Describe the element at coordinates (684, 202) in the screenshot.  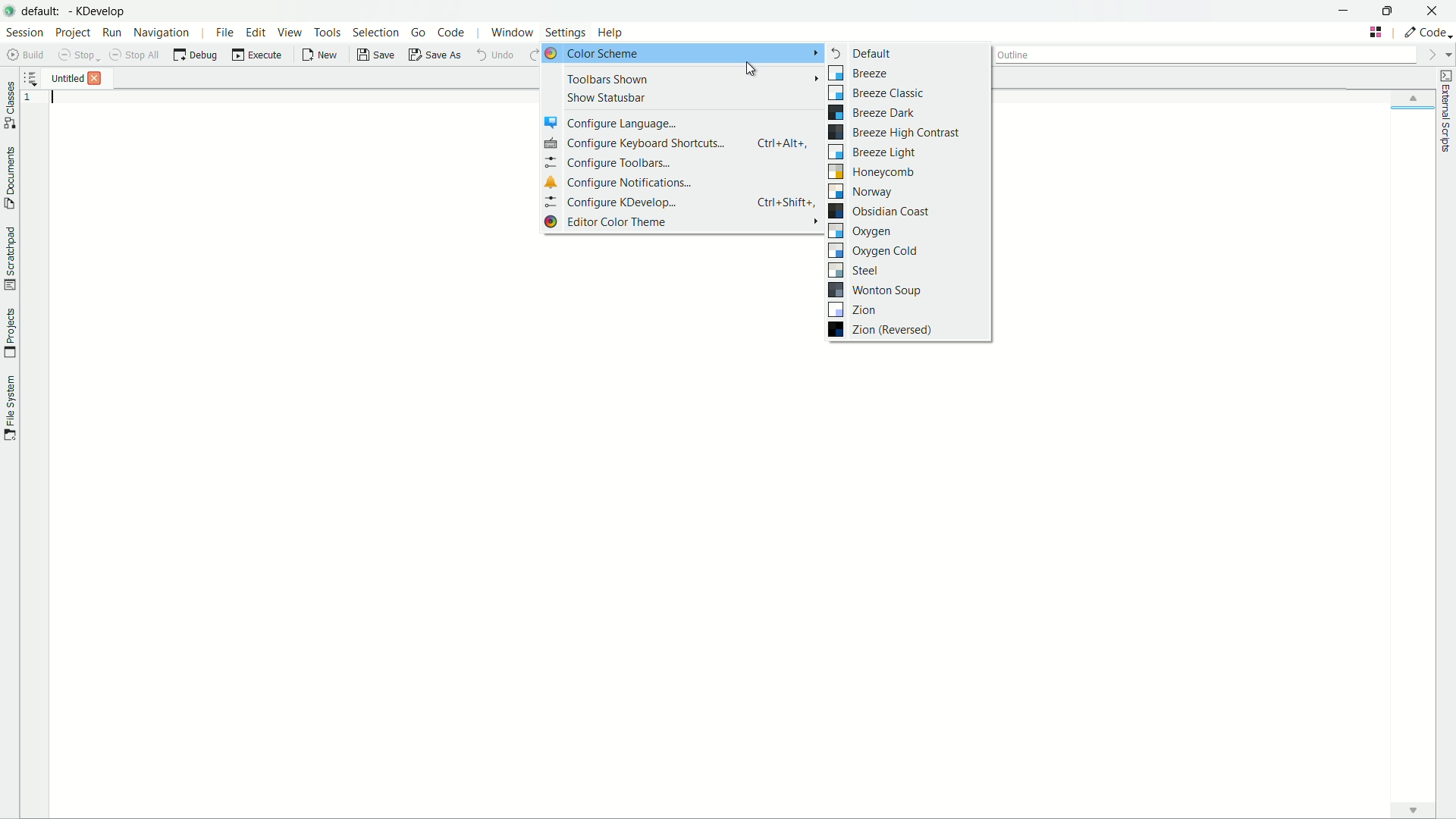
I see `configure kdevelop` at that location.